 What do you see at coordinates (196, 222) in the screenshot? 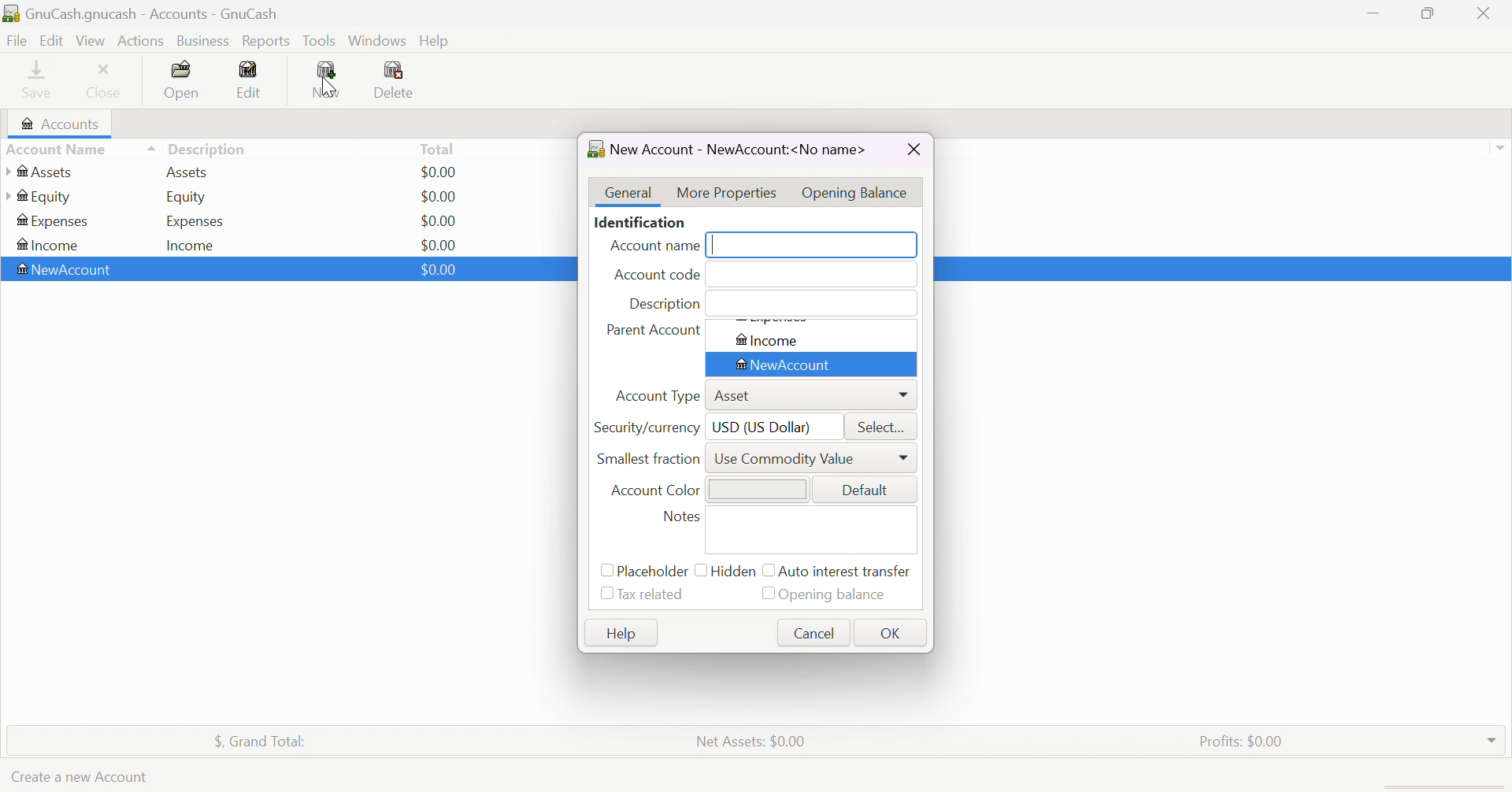
I see `Expenses` at bounding box center [196, 222].